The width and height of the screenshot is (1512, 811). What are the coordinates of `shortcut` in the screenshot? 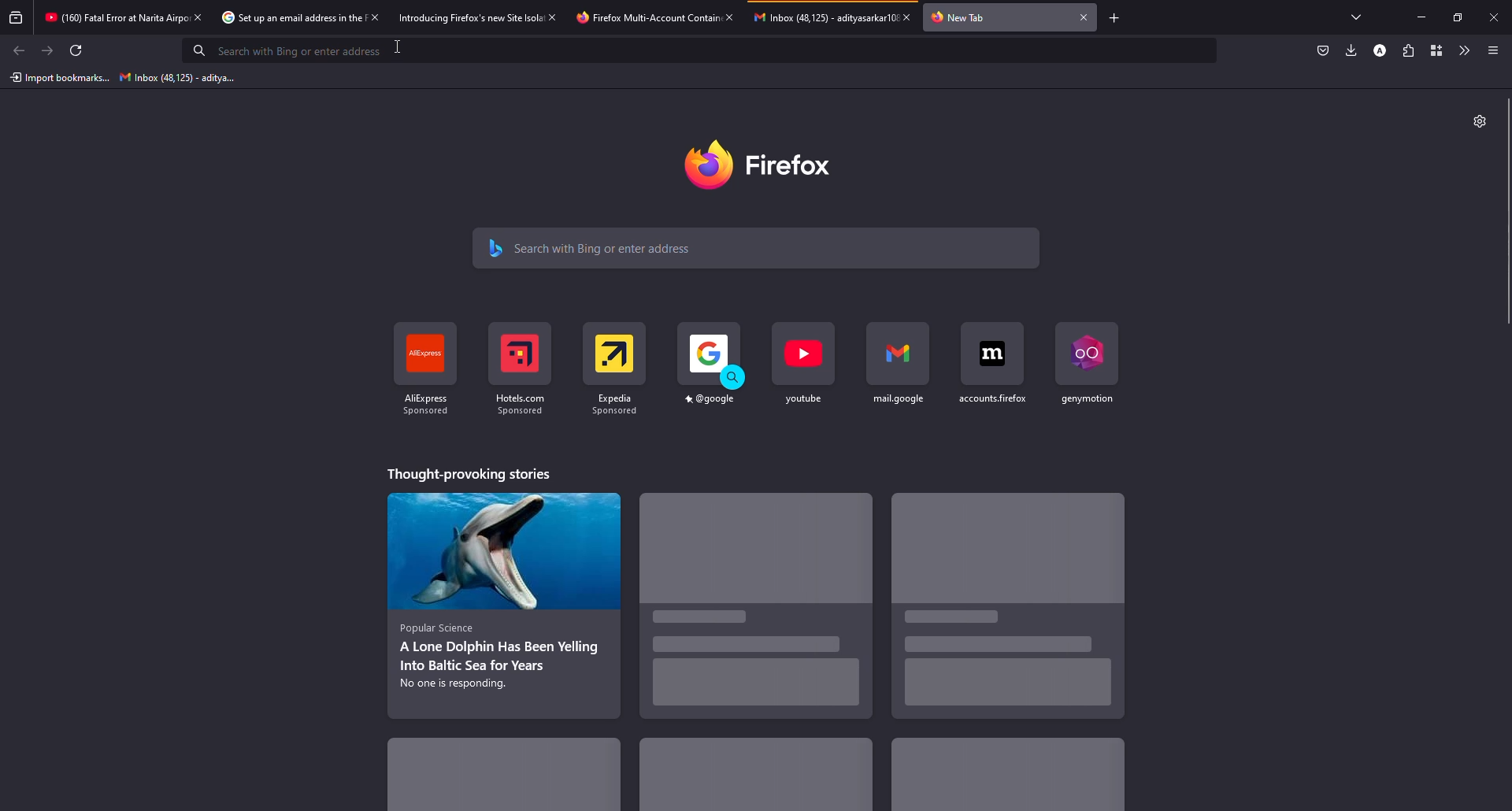 It's located at (520, 375).